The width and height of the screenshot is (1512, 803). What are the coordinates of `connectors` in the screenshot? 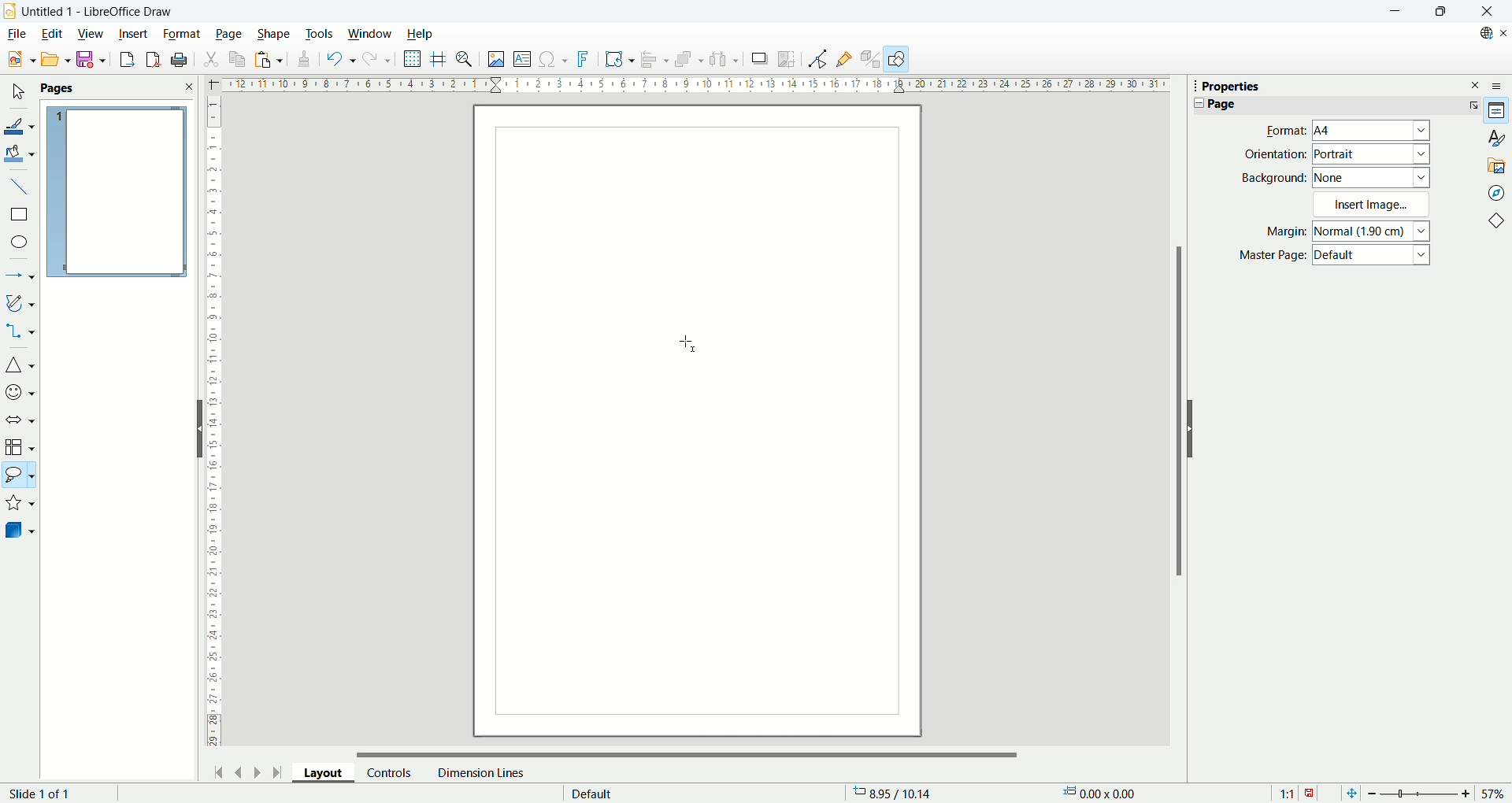 It's located at (20, 332).